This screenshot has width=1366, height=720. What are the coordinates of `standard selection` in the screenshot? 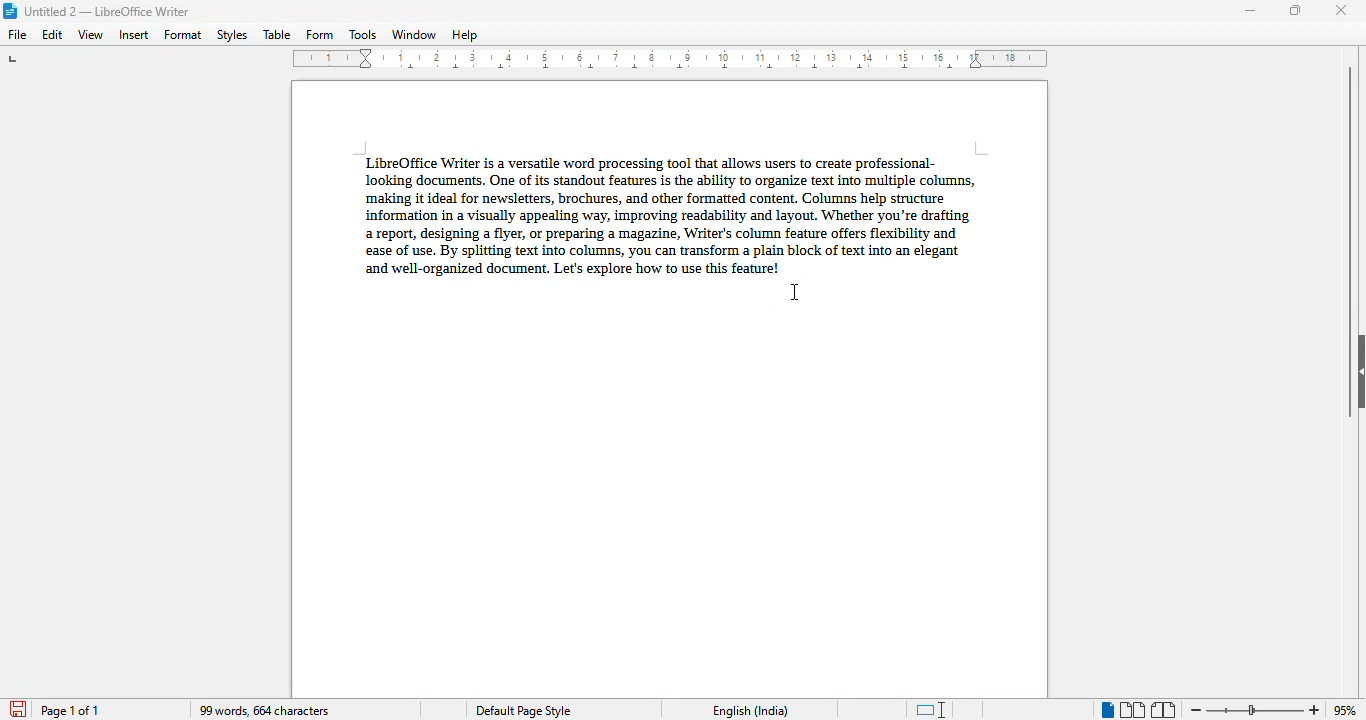 It's located at (931, 709).